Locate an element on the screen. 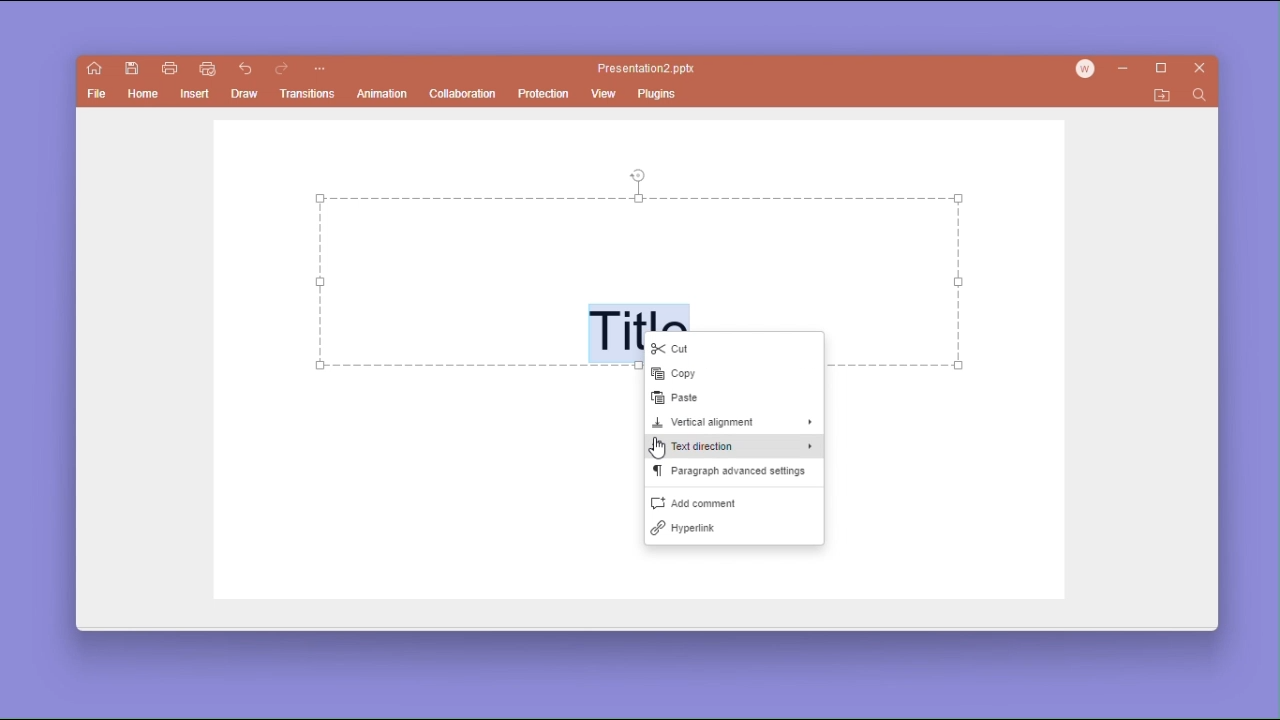 This screenshot has height=720, width=1280. transitions is located at coordinates (311, 94).